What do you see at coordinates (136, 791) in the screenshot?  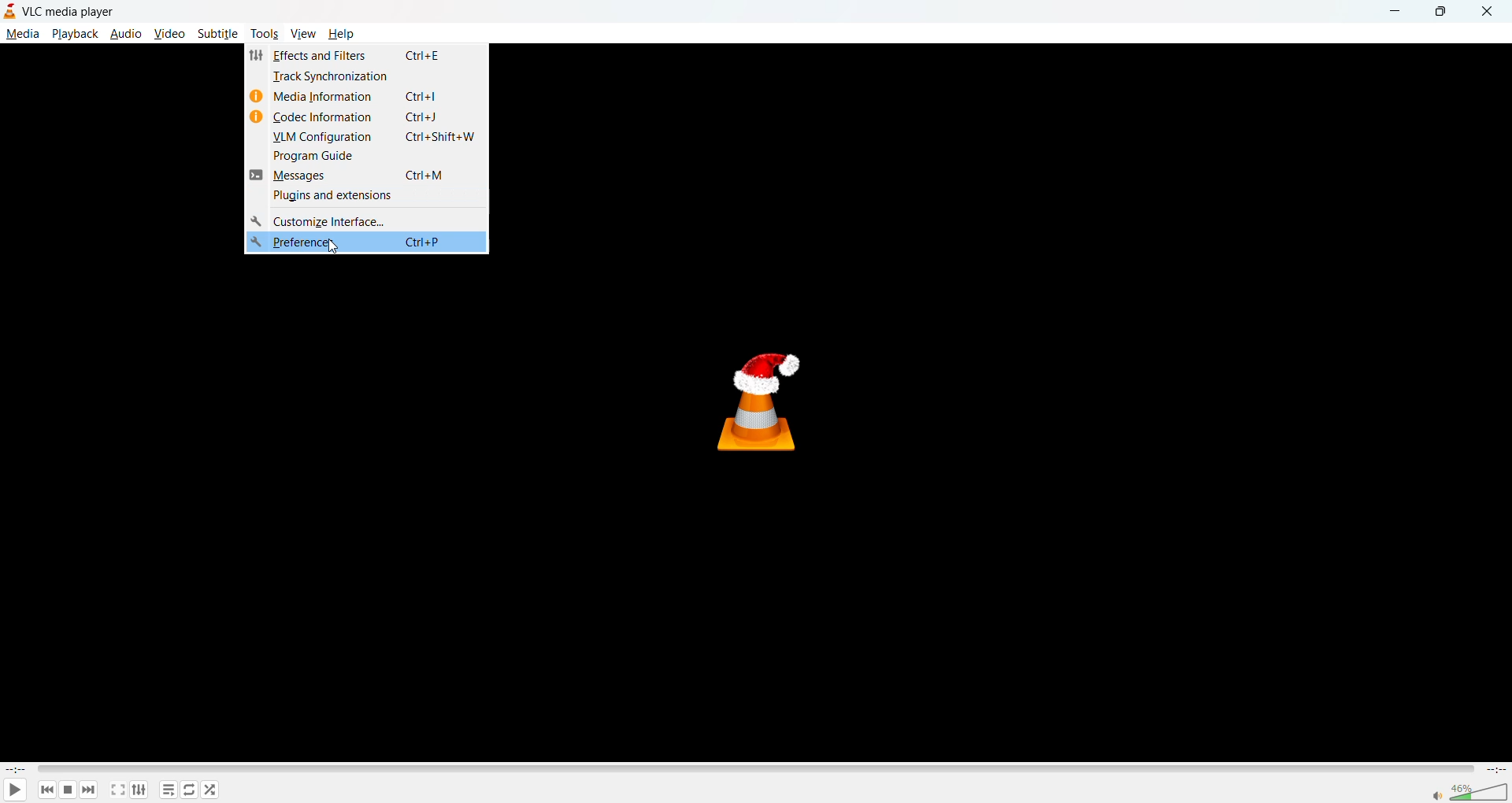 I see `settings` at bounding box center [136, 791].